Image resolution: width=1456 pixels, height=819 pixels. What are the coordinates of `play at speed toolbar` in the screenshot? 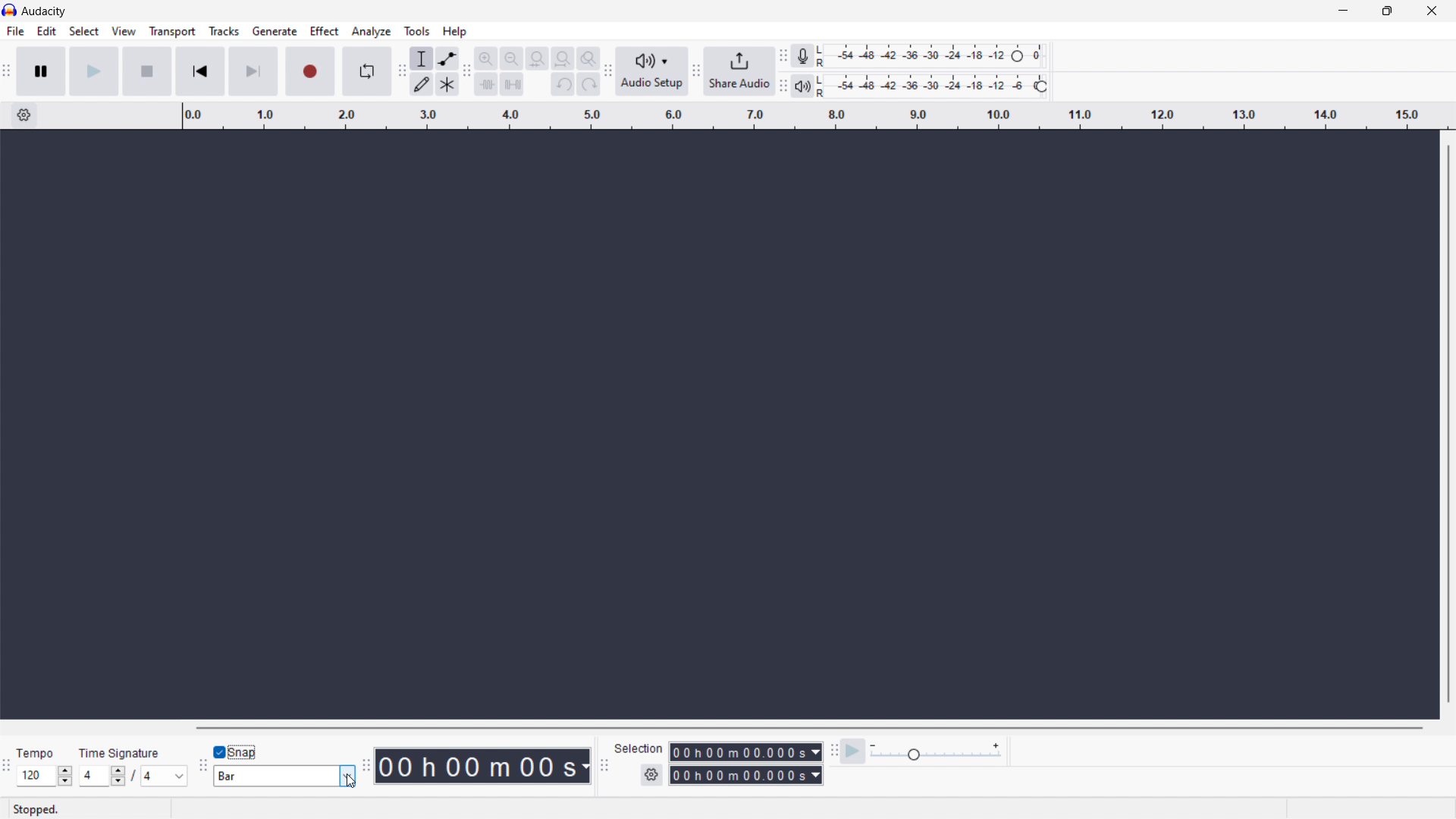 It's located at (832, 752).